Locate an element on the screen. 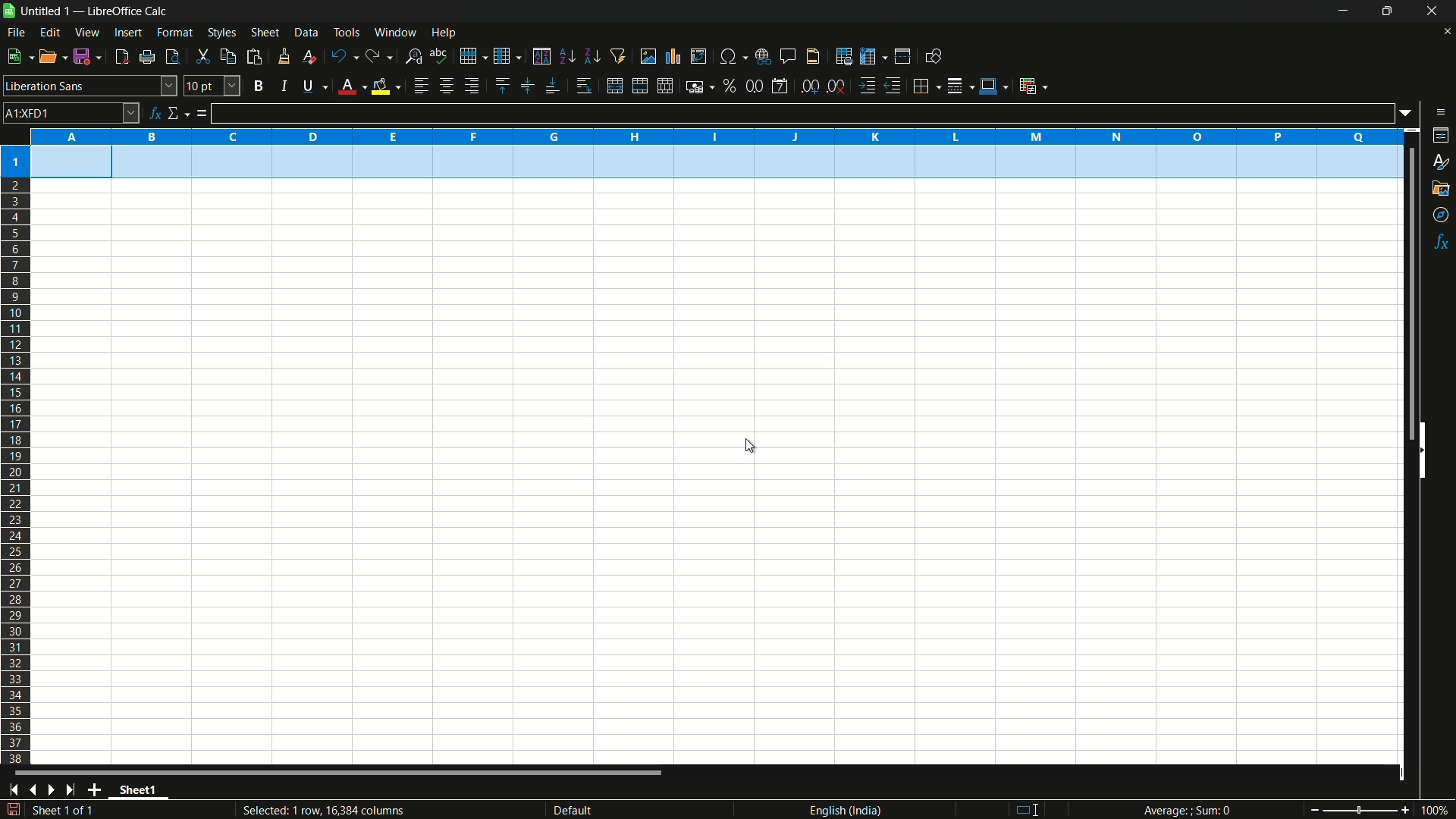 The image size is (1456, 819). functions is located at coordinates (1442, 242).